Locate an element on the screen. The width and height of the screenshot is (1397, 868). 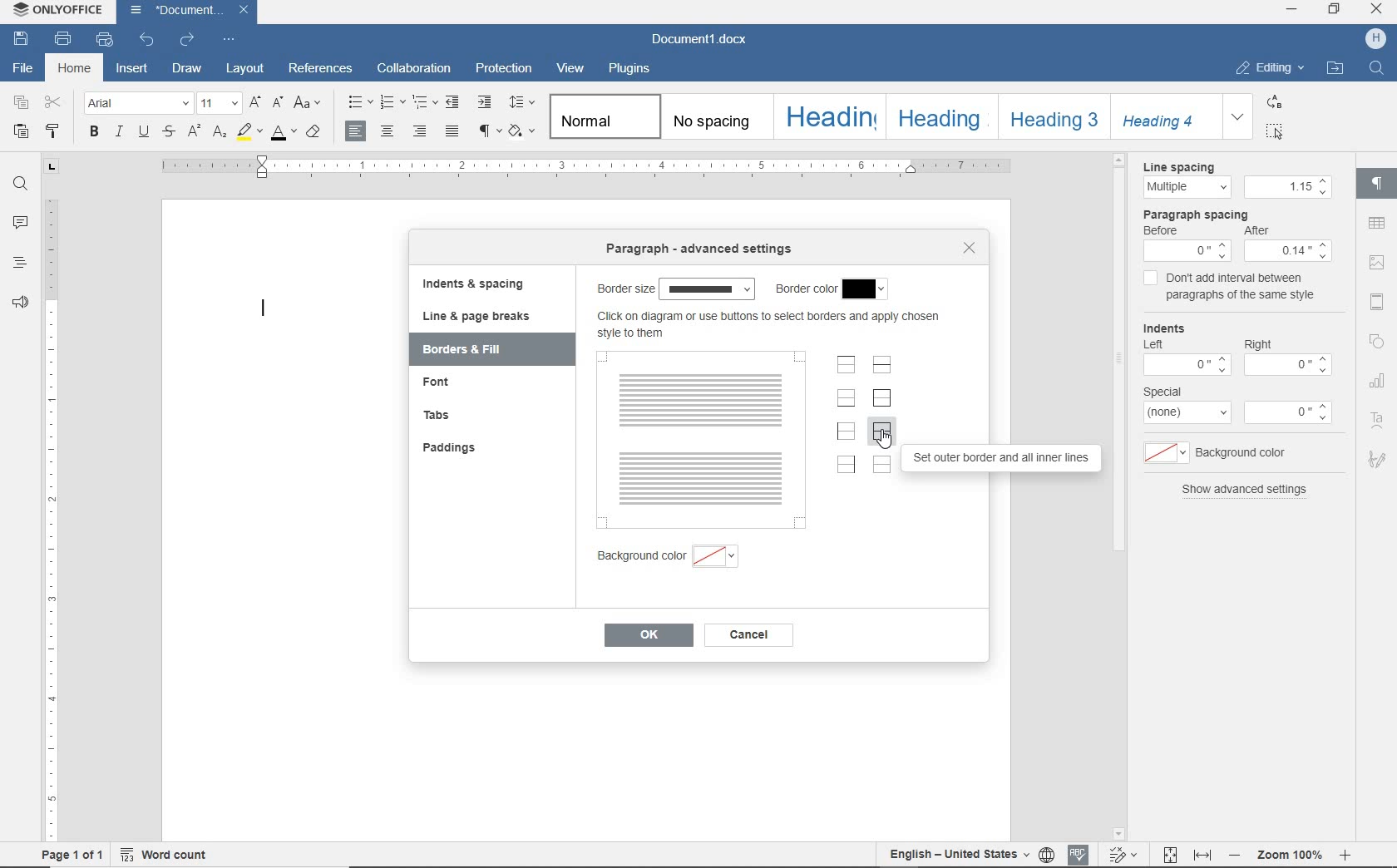
set outer border is located at coordinates (884, 398).